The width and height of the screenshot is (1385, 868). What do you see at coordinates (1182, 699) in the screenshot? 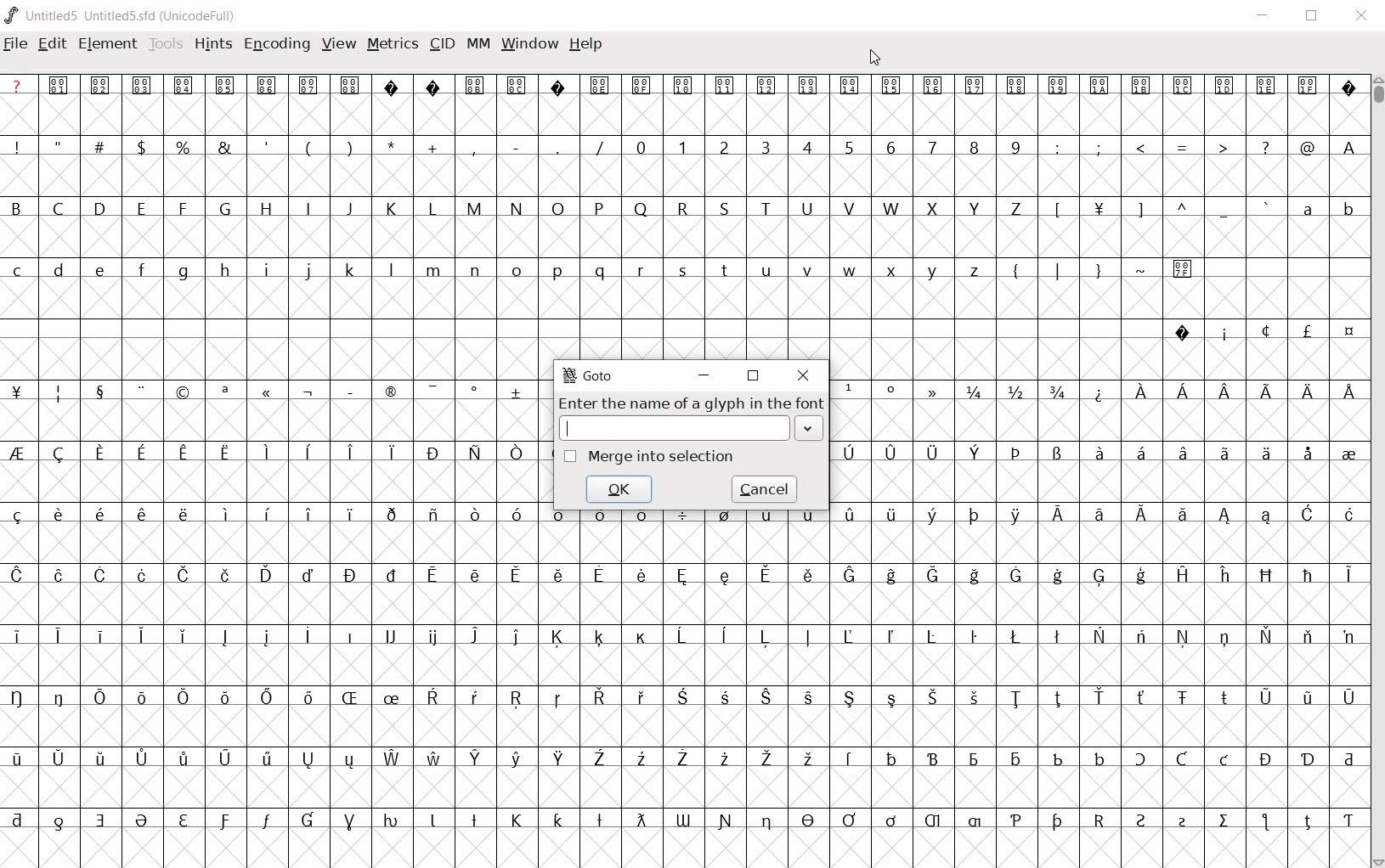
I see `Symbol` at bounding box center [1182, 699].